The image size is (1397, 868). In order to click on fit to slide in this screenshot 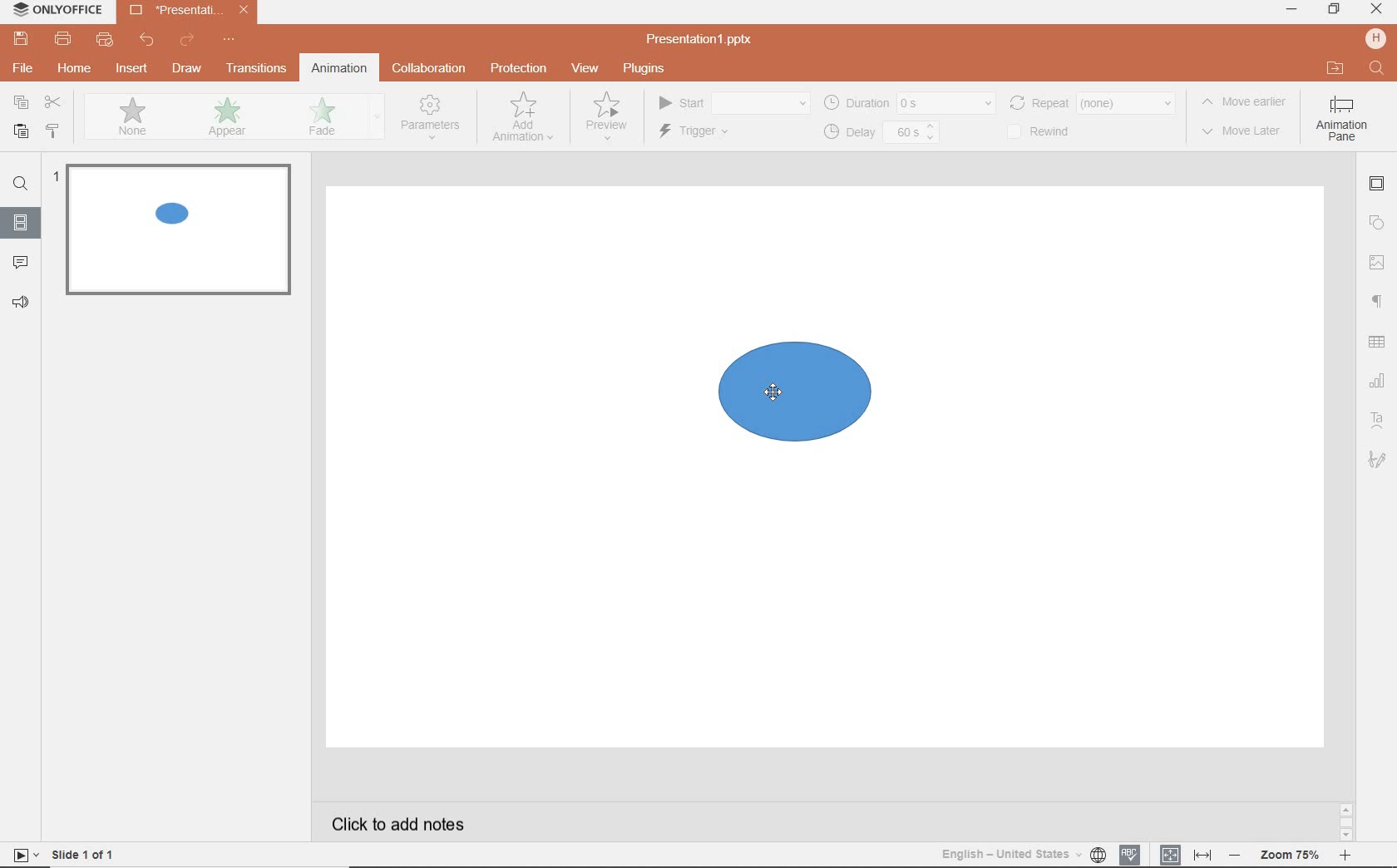, I will do `click(1171, 851)`.